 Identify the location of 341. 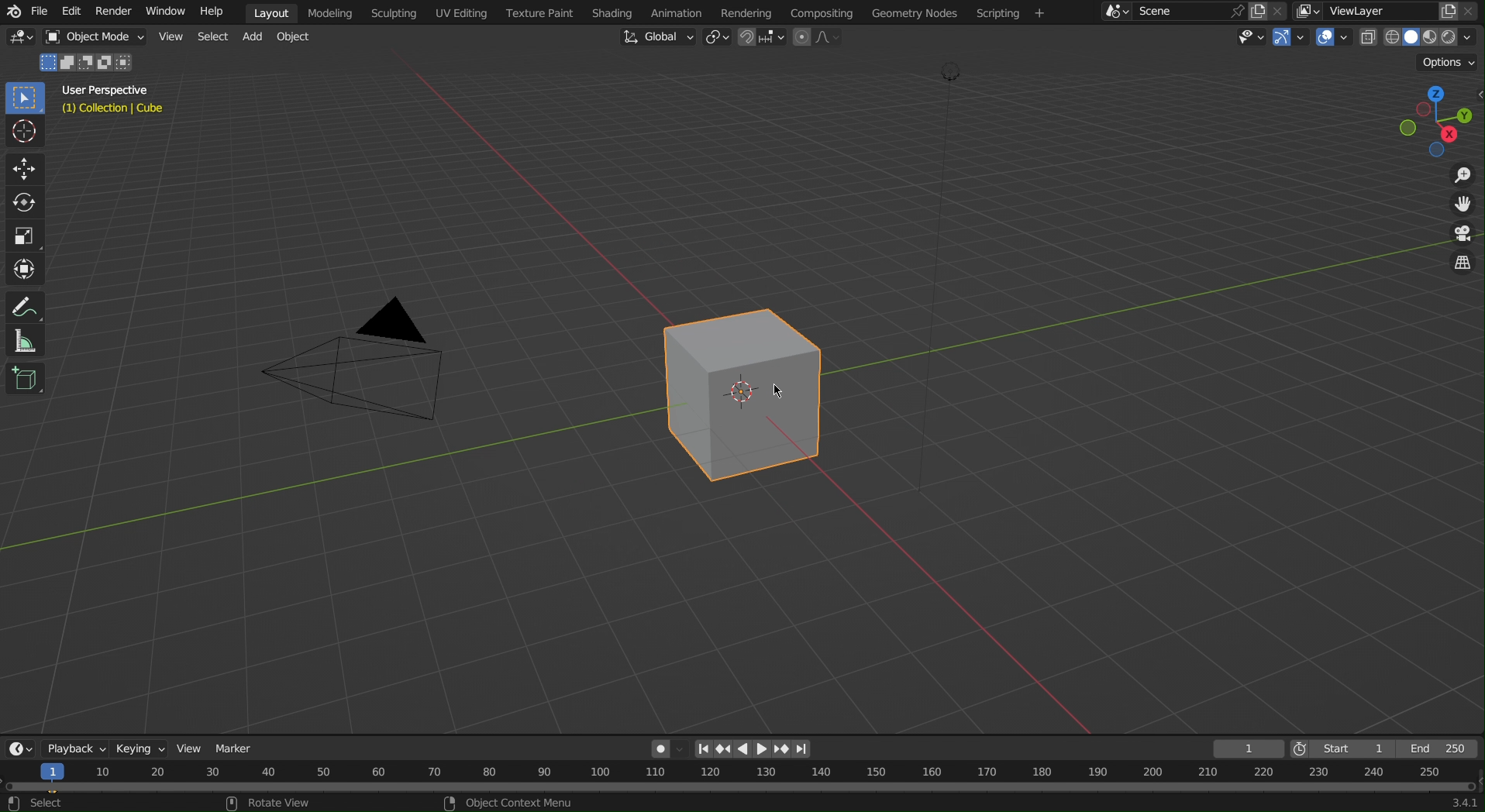
(1450, 803).